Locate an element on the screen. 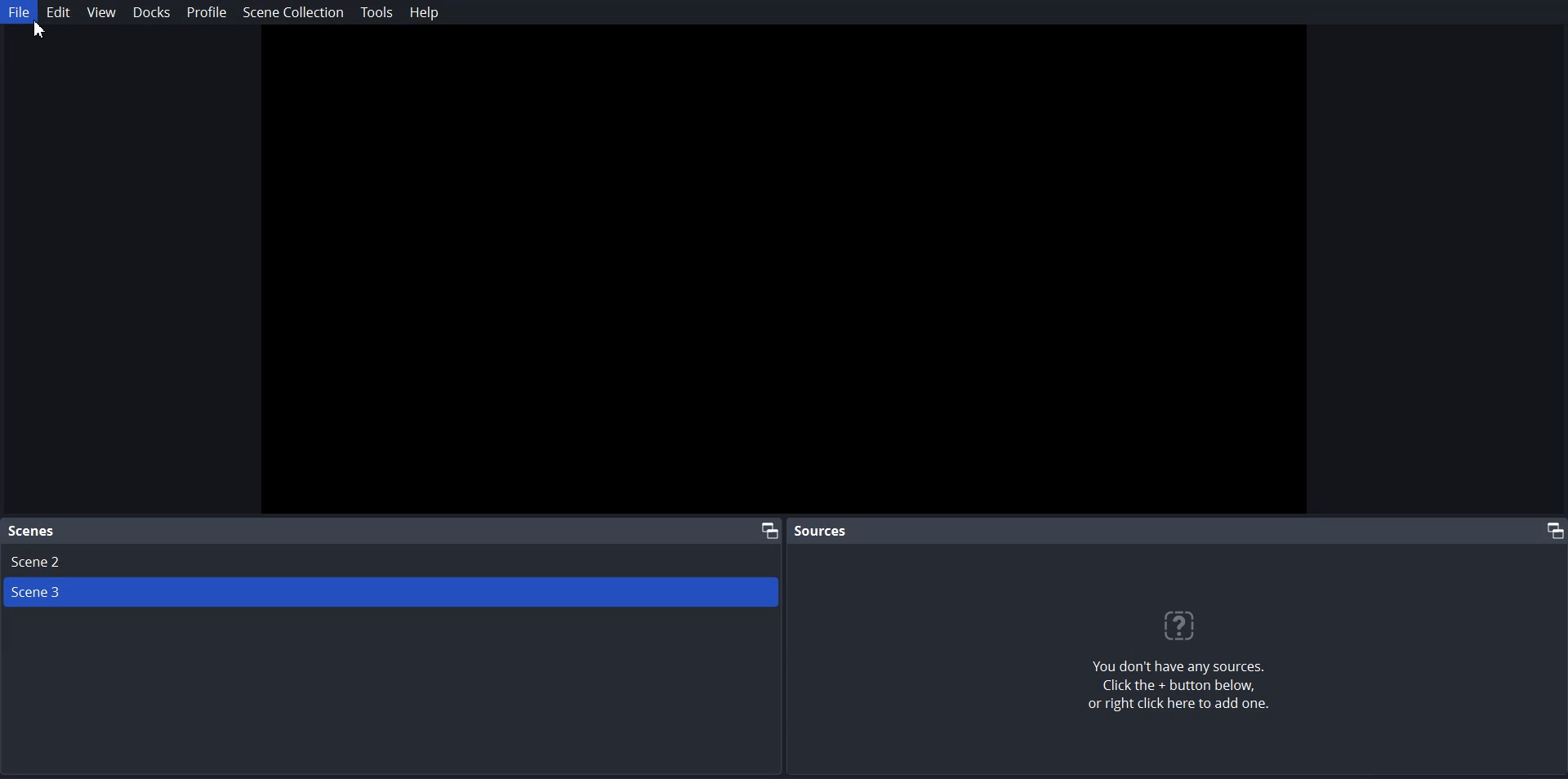 The height and width of the screenshot is (779, 1568). Docks is located at coordinates (151, 12).